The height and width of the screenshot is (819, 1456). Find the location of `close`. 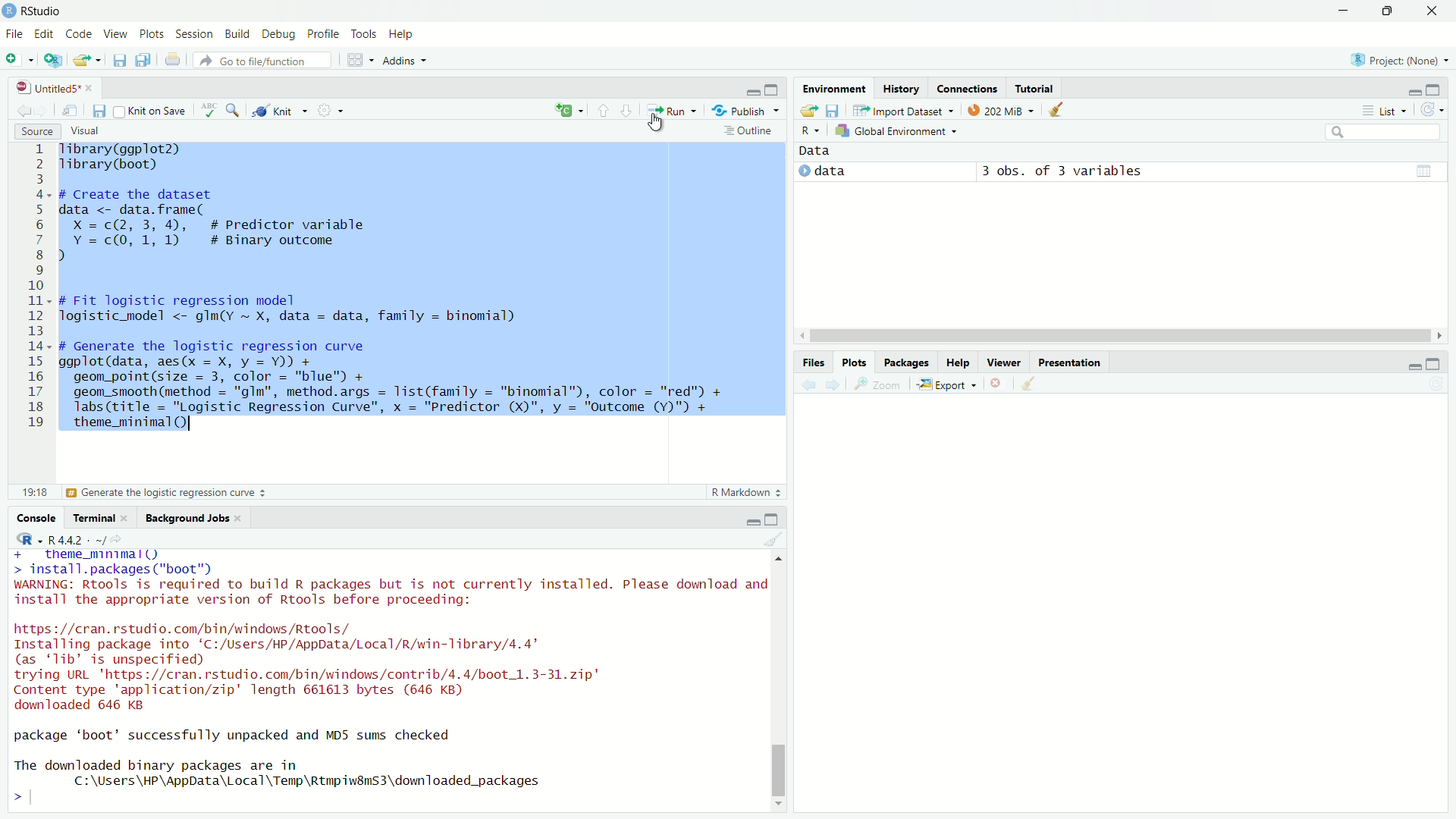

close is located at coordinates (89, 89).